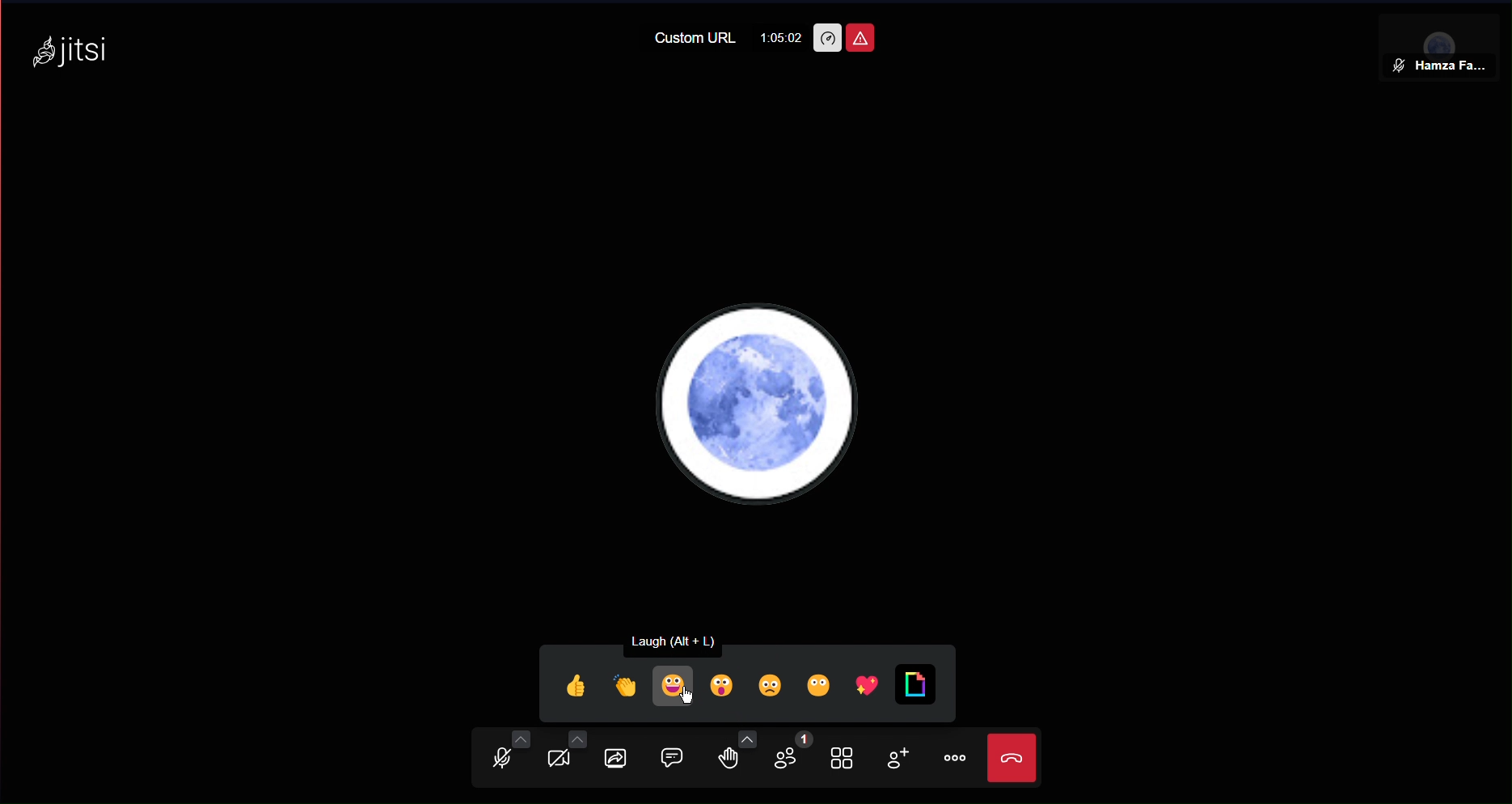 Image resolution: width=1512 pixels, height=804 pixels. I want to click on End Call, so click(1016, 760).